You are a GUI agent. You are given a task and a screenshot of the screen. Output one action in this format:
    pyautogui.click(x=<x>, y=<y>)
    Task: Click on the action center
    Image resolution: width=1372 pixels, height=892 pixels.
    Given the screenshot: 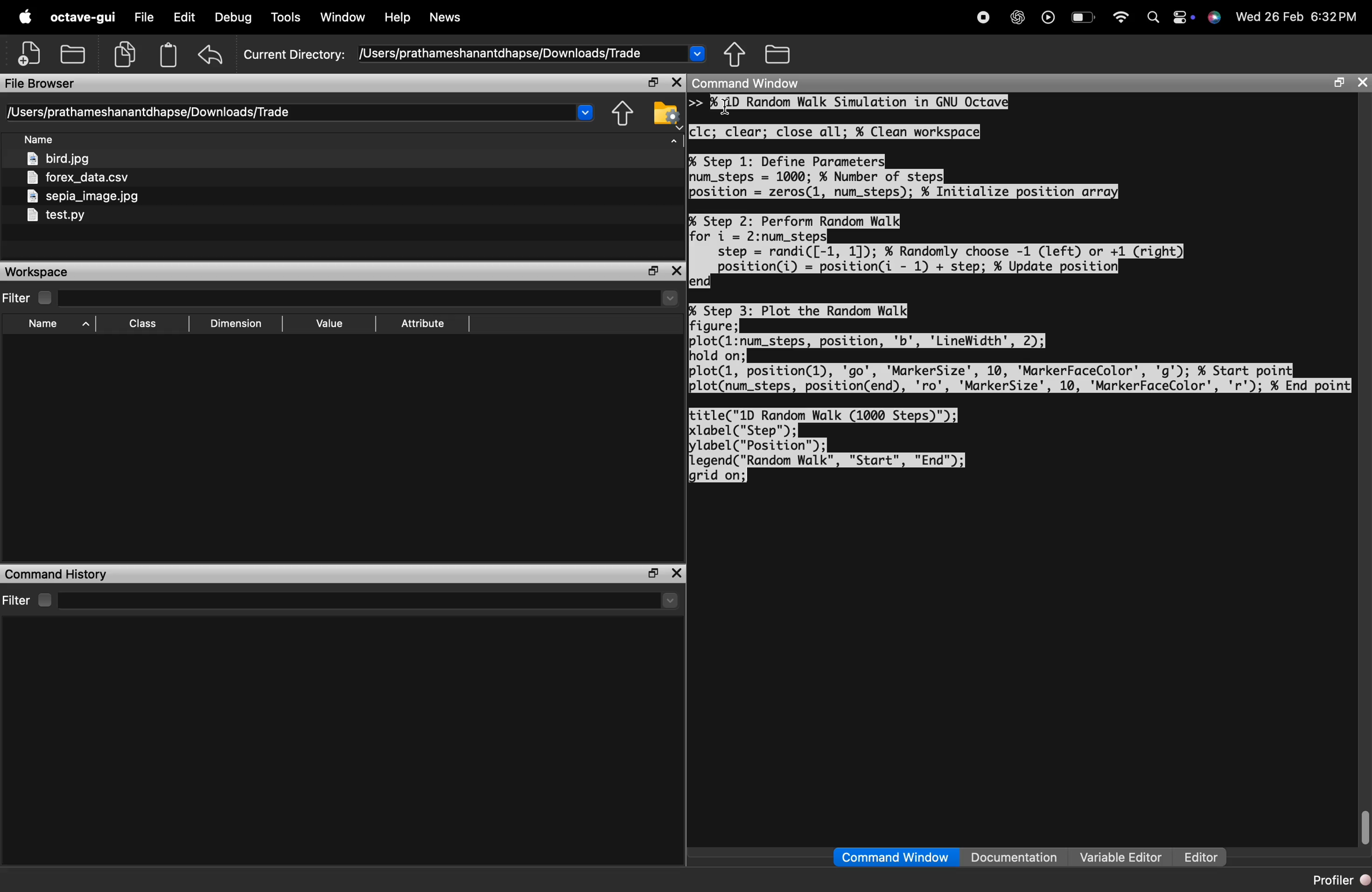 What is the action you would take?
    pyautogui.click(x=1185, y=18)
    